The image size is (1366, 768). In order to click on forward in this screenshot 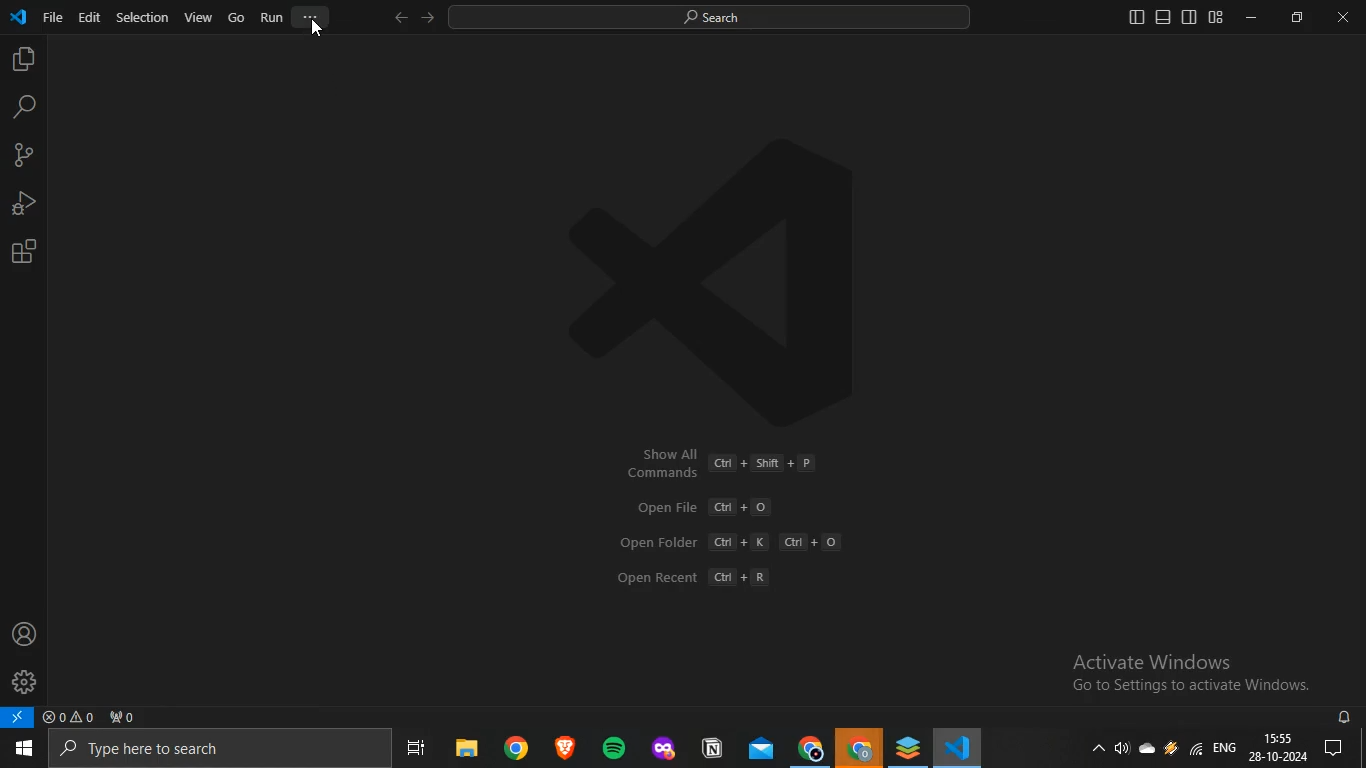, I will do `click(429, 18)`.